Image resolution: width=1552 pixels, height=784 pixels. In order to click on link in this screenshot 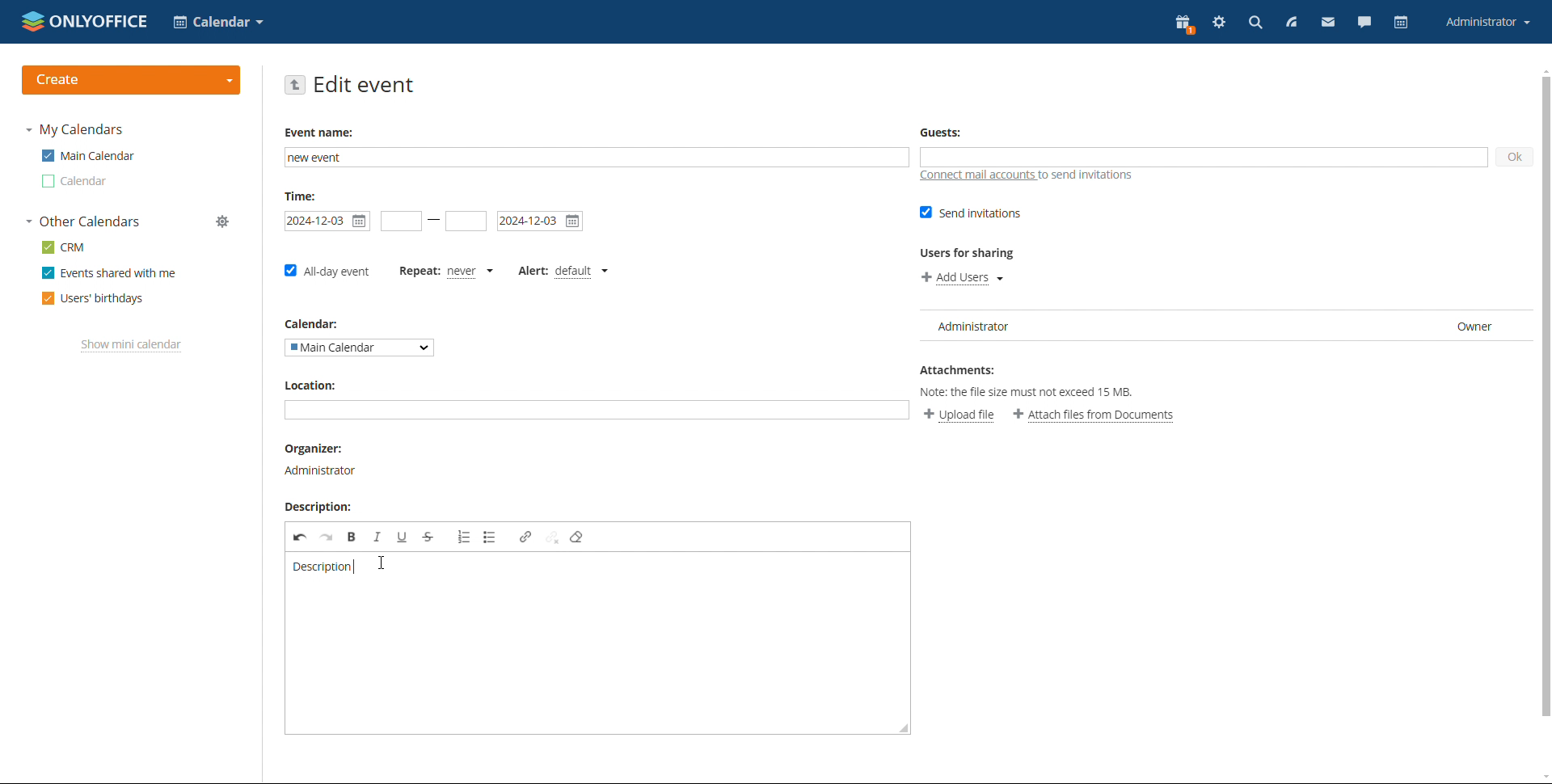, I will do `click(525, 537)`.